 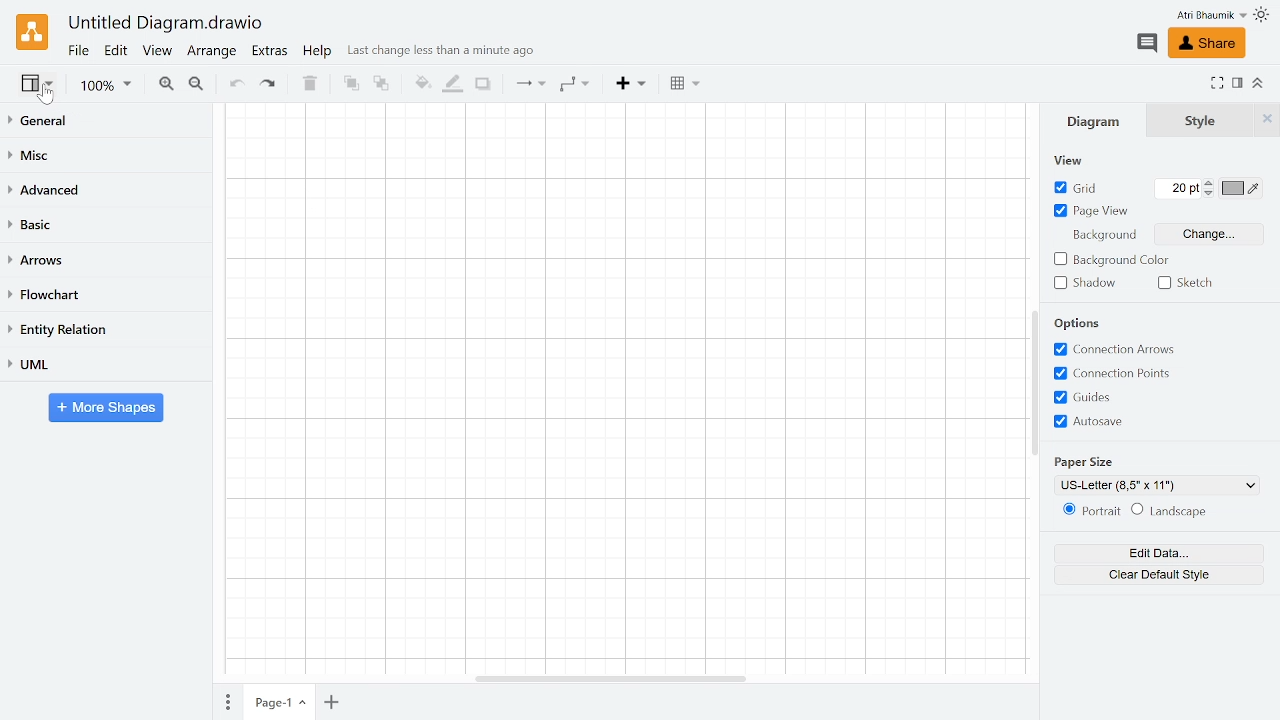 I want to click on Canvas, so click(x=623, y=388).